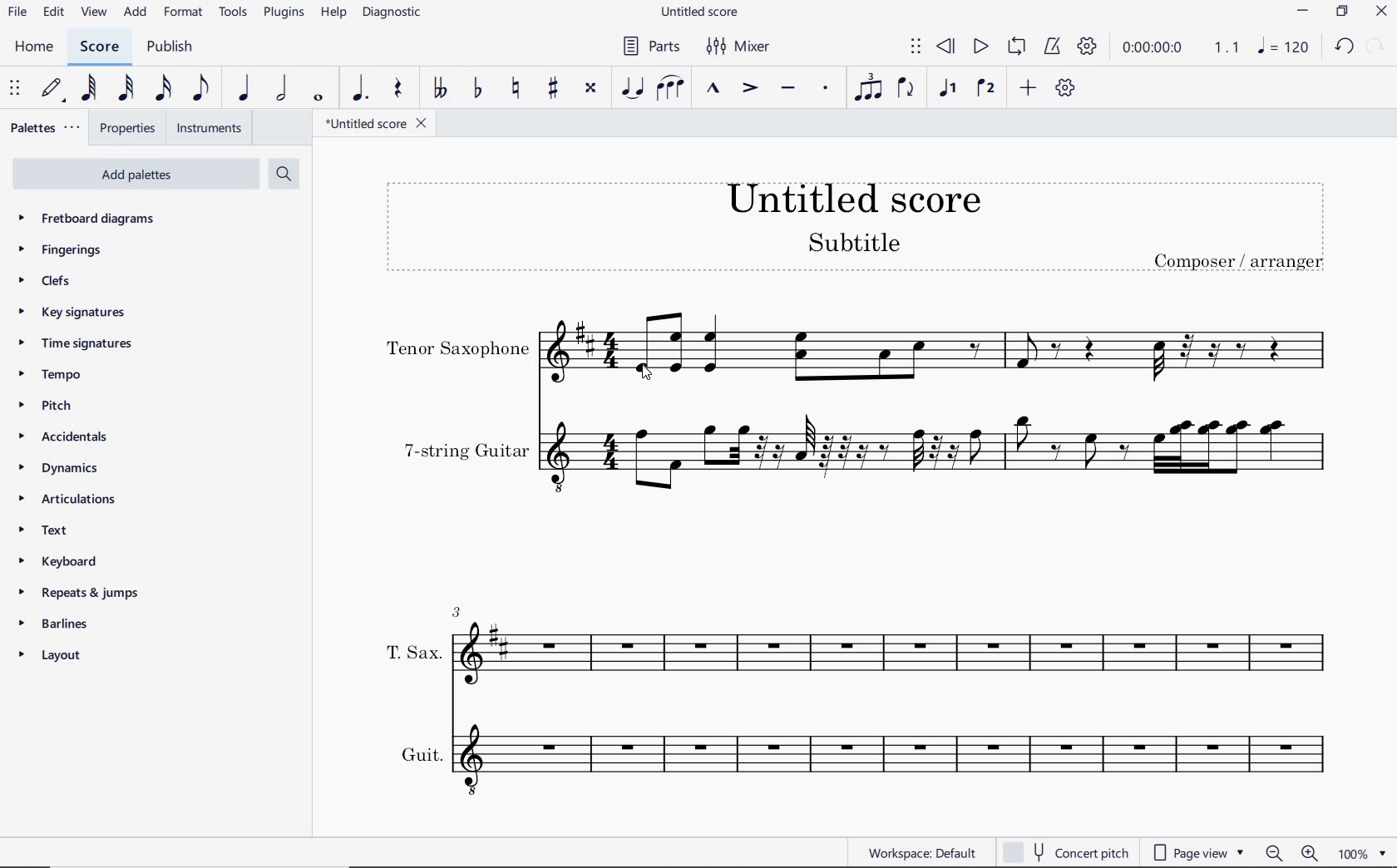 The width and height of the screenshot is (1397, 868). What do you see at coordinates (279, 89) in the screenshot?
I see `HALF NOTE` at bounding box center [279, 89].